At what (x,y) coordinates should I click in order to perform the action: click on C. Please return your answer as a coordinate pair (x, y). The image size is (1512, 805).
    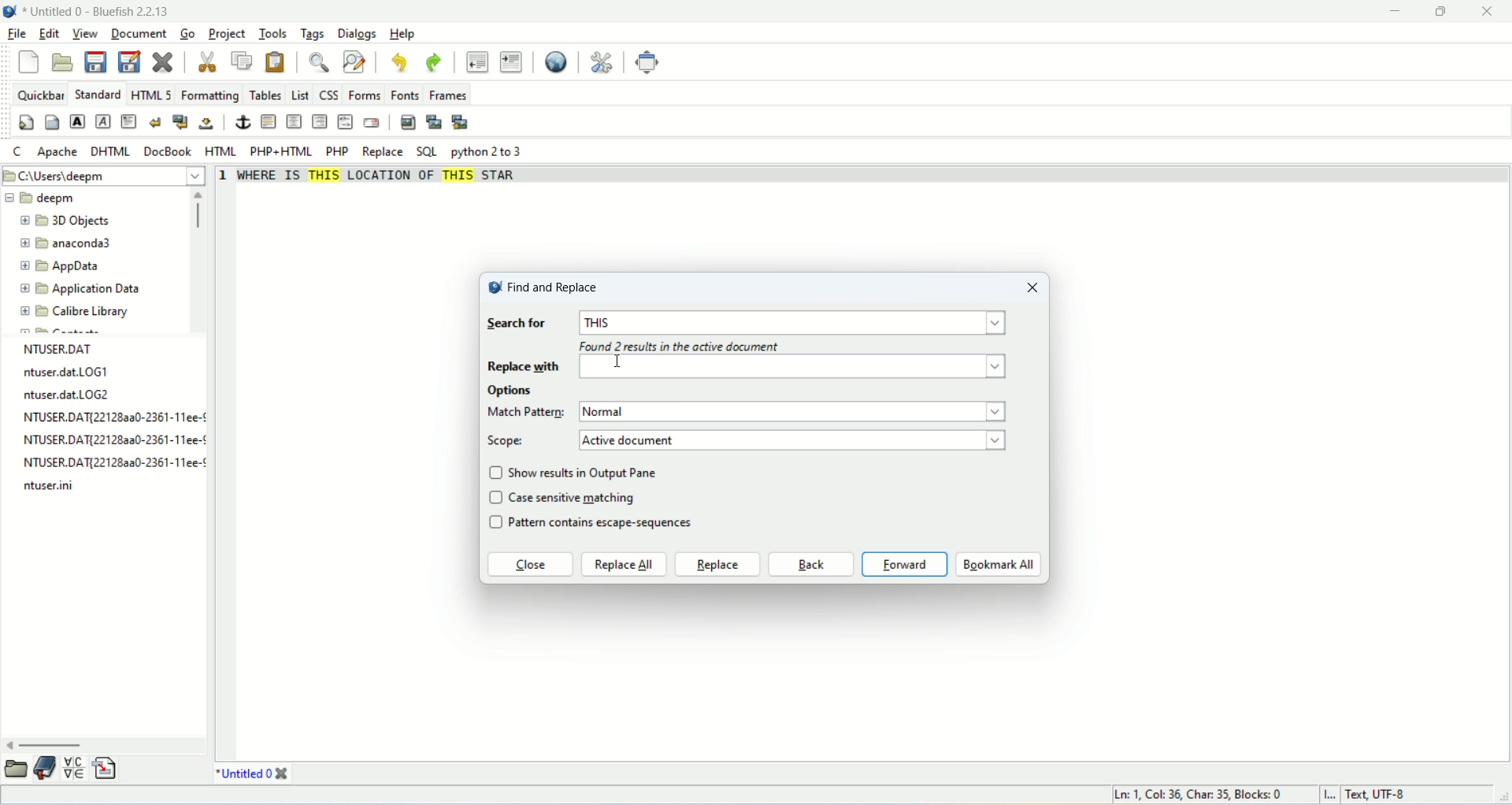
    Looking at the image, I should click on (19, 154).